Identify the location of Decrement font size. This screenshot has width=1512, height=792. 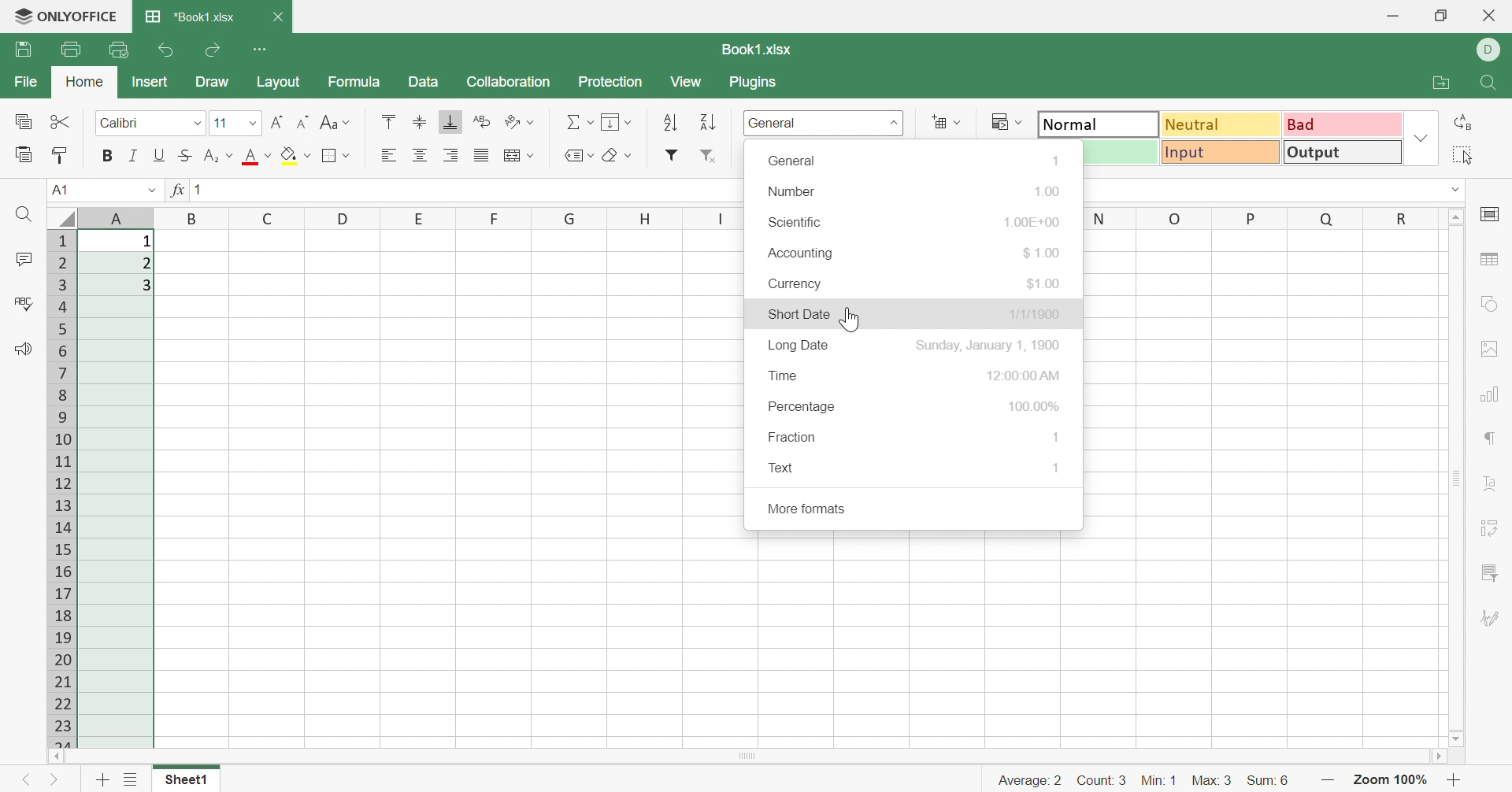
(306, 122).